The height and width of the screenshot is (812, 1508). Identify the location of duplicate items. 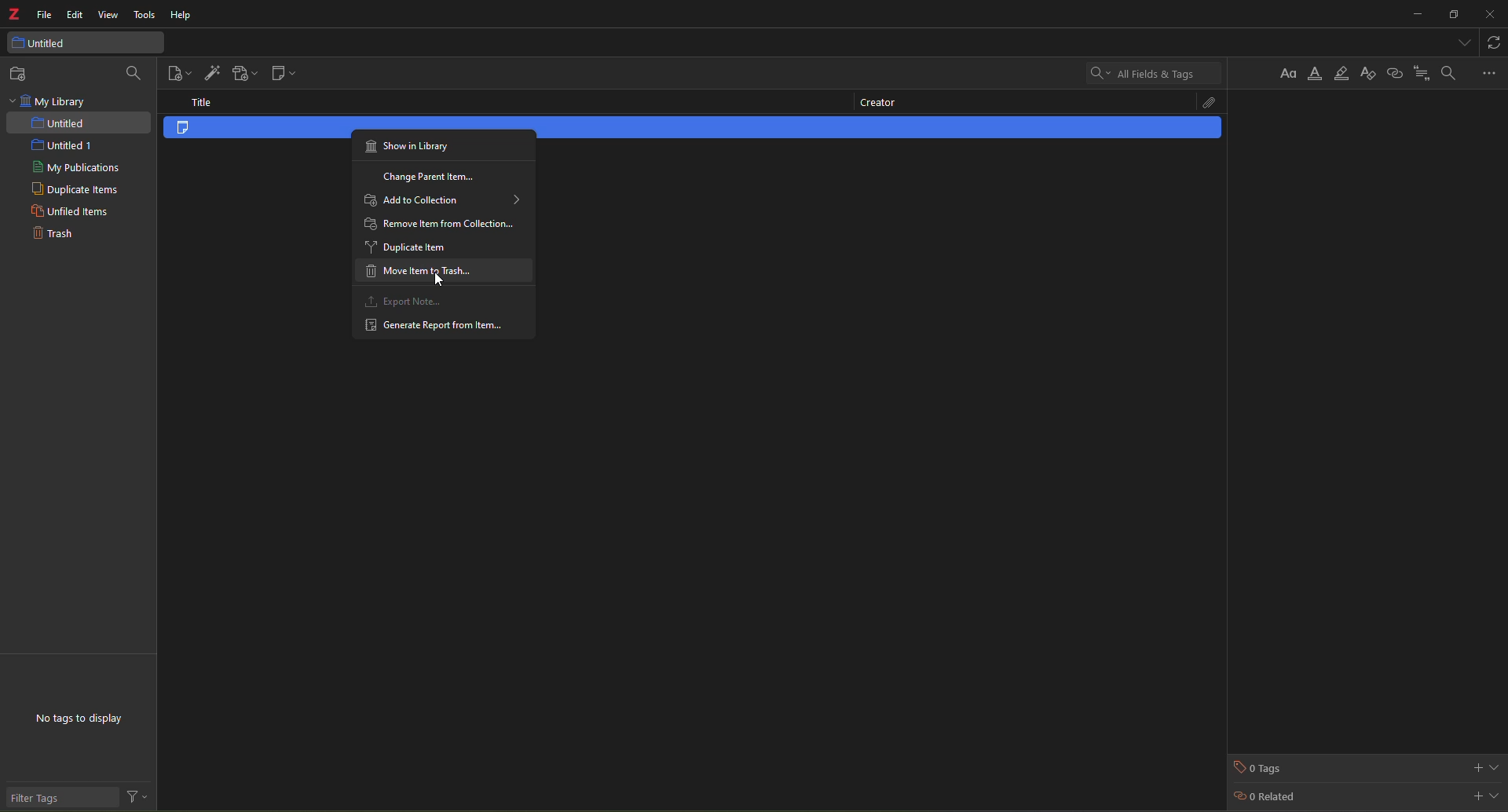
(78, 192).